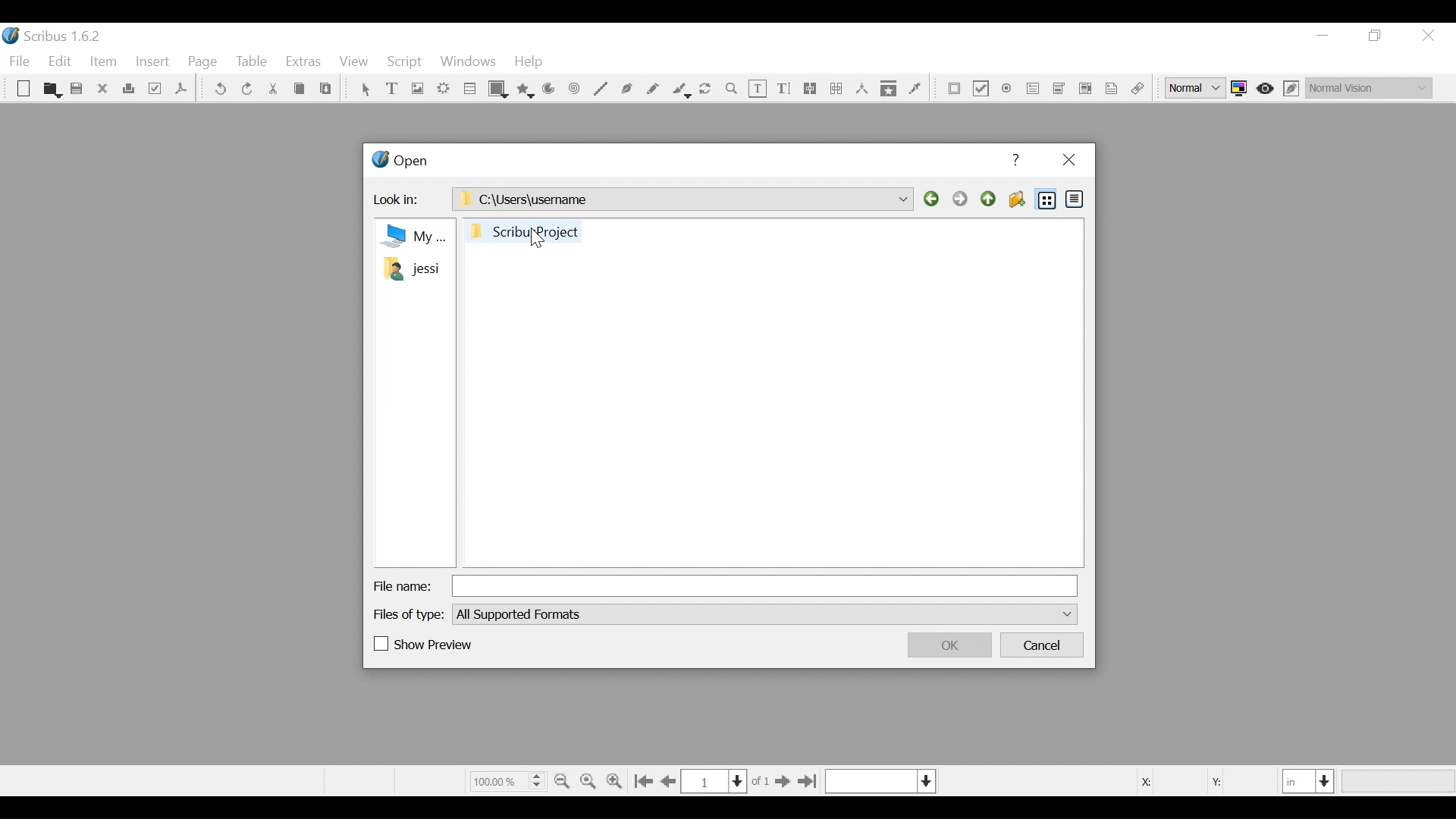 The width and height of the screenshot is (1456, 819). I want to click on Open, so click(399, 162).